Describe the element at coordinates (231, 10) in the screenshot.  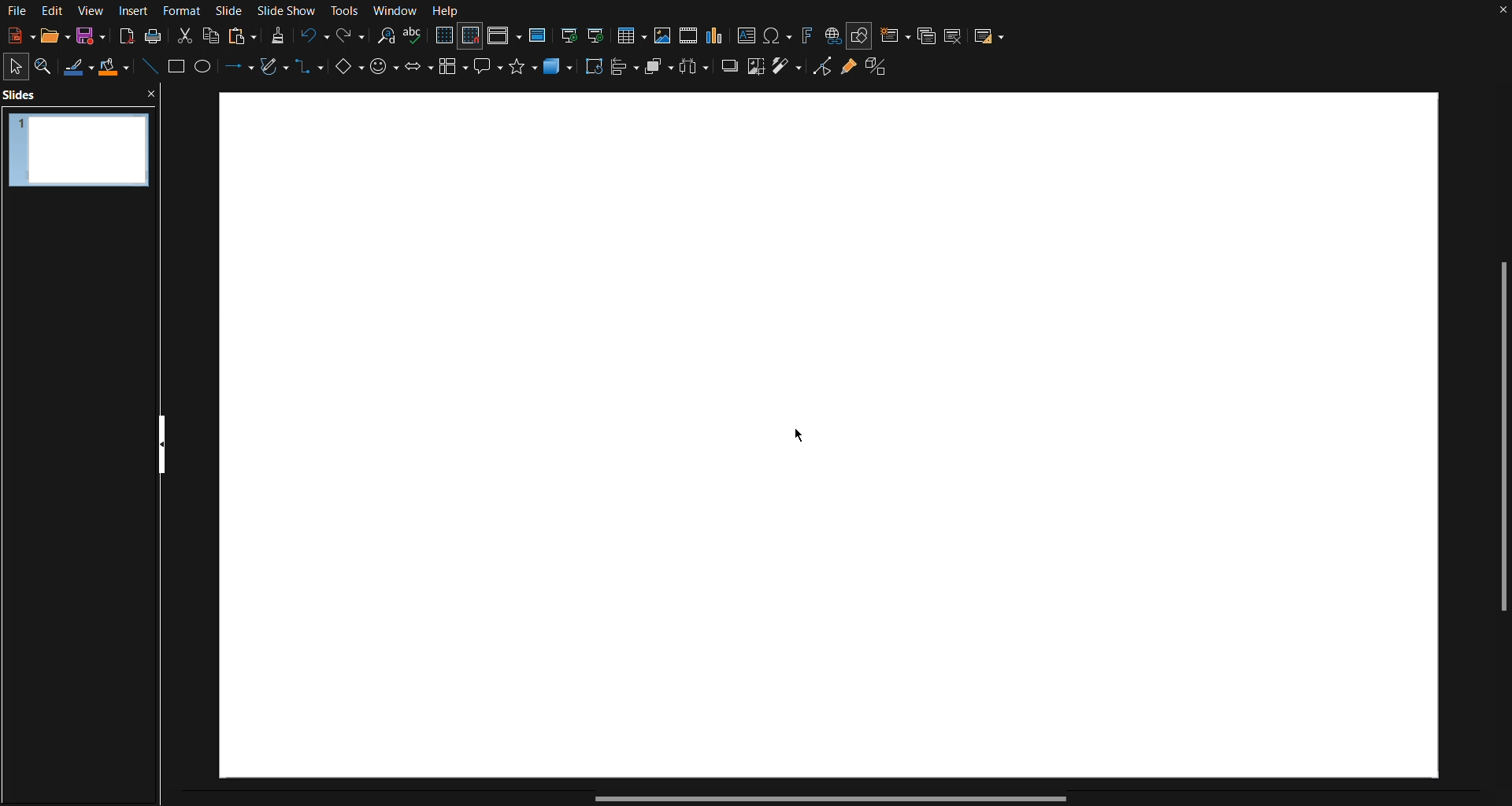
I see `Slide` at that location.